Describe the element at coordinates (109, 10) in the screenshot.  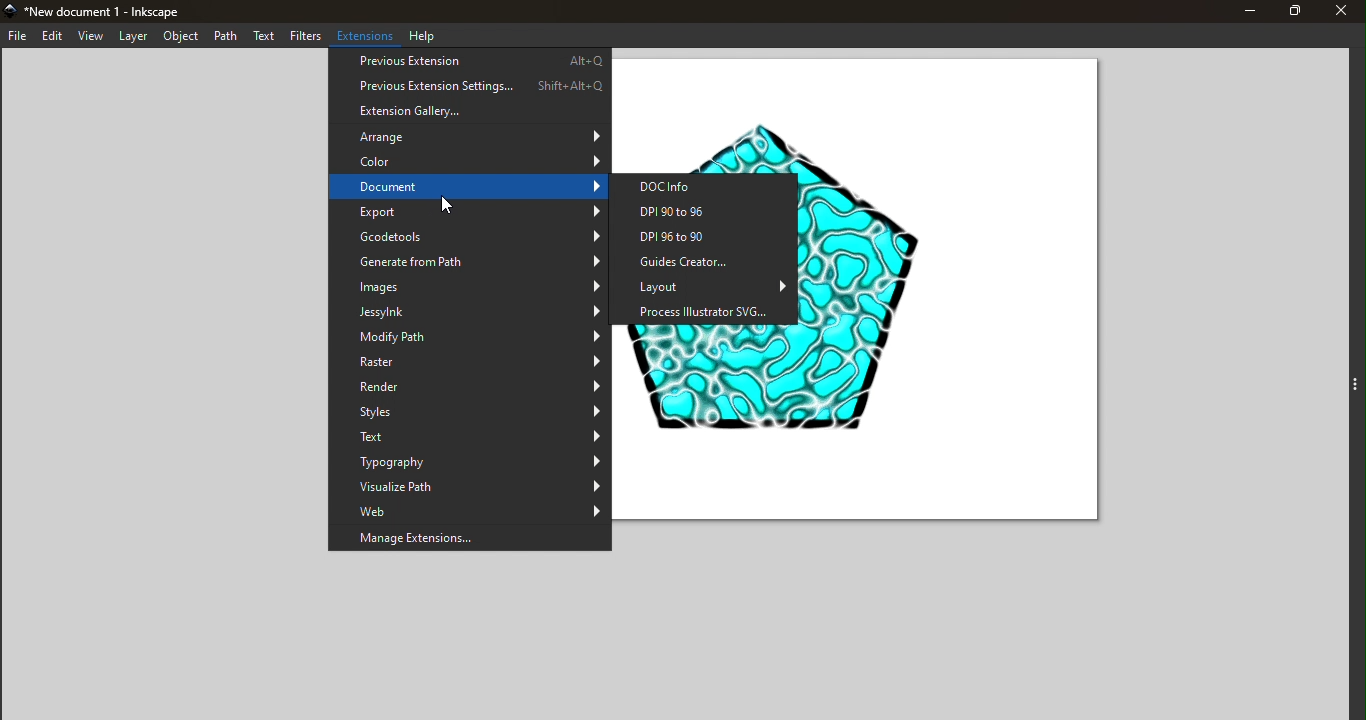
I see `New document 1 - Inkscape` at that location.